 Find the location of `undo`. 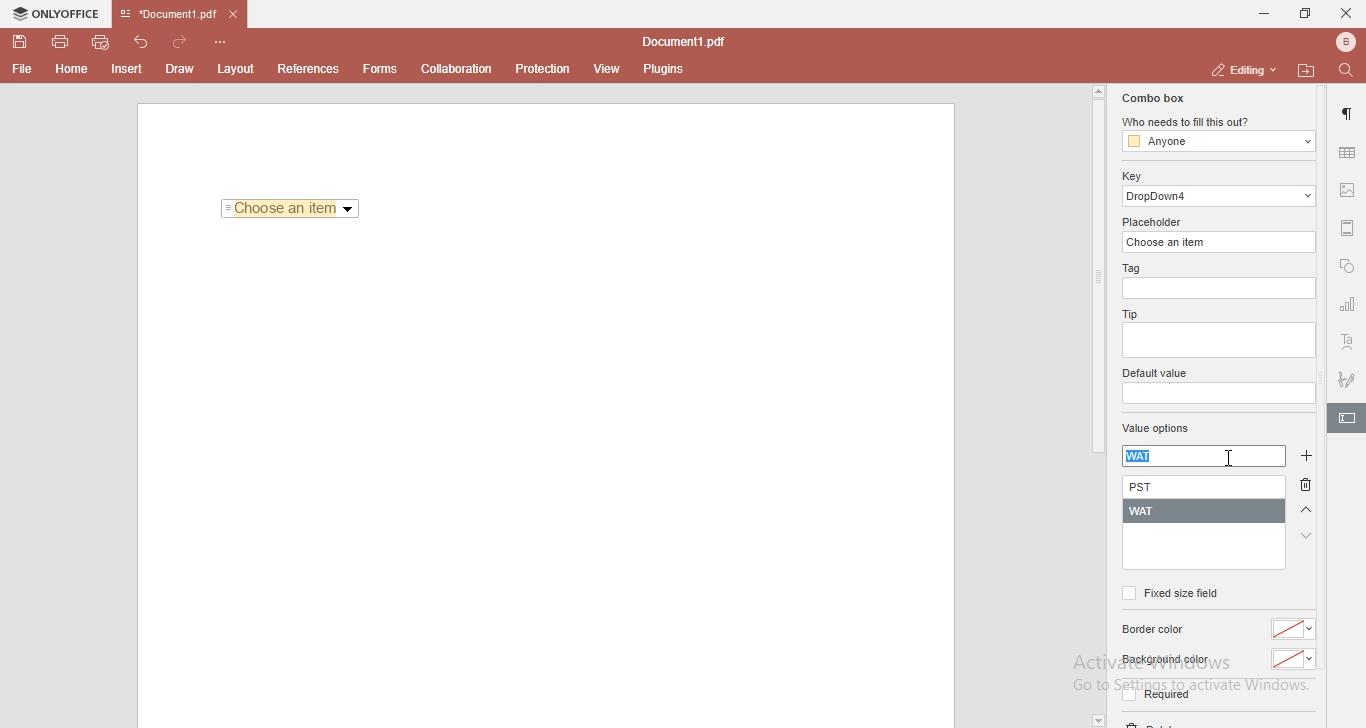

undo is located at coordinates (144, 40).